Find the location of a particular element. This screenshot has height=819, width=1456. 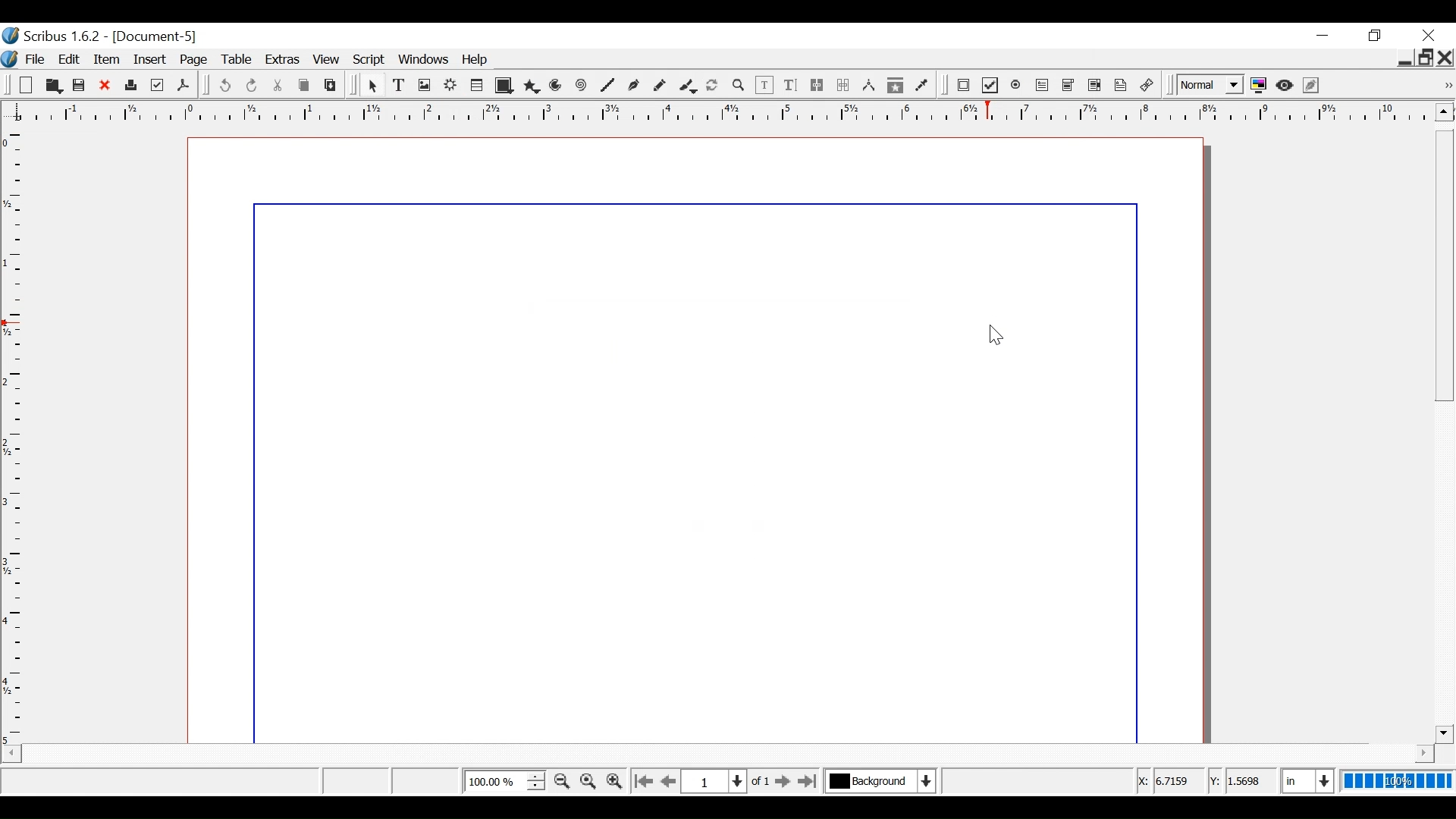

Help is located at coordinates (477, 61).